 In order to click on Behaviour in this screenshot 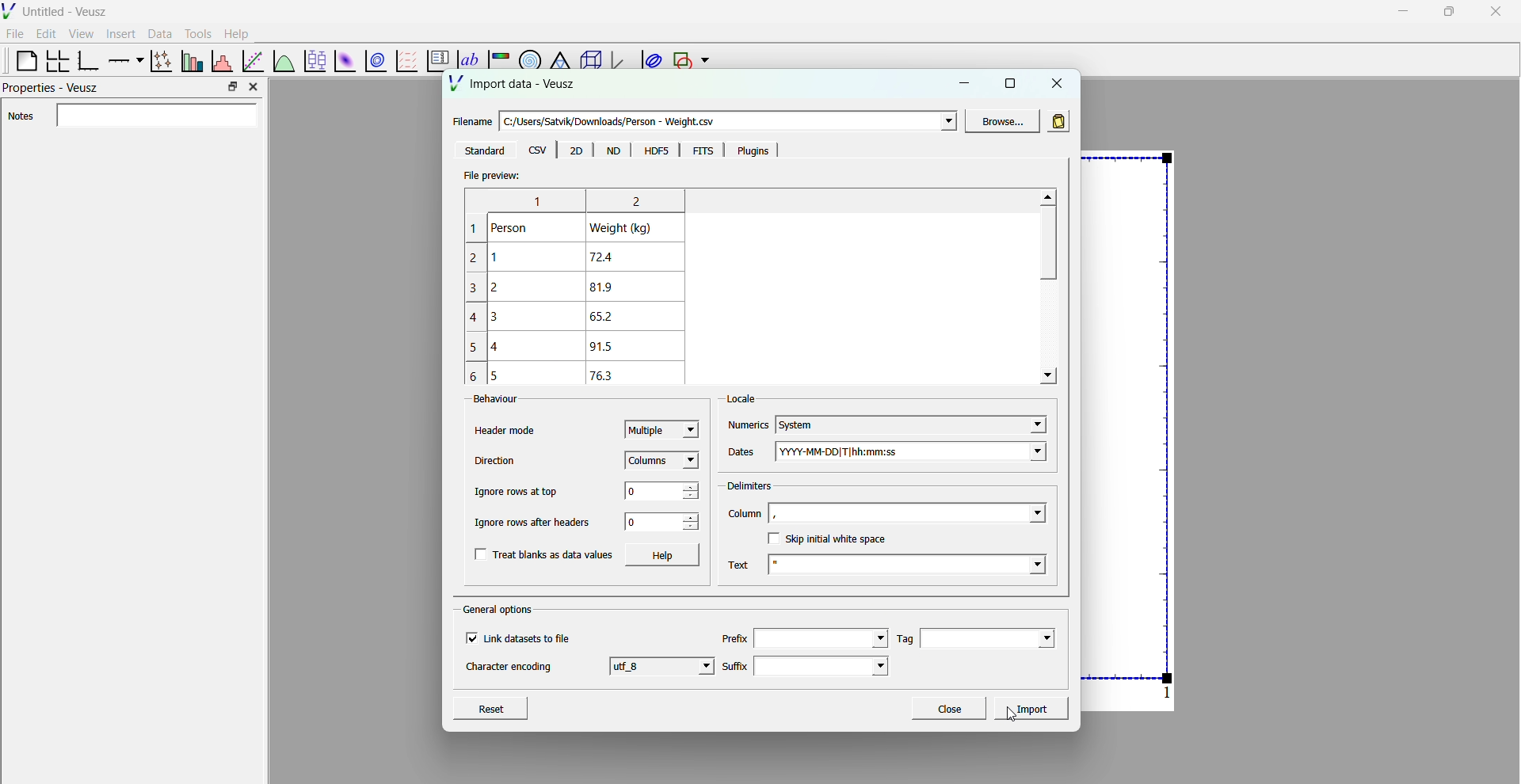, I will do `click(487, 401)`.